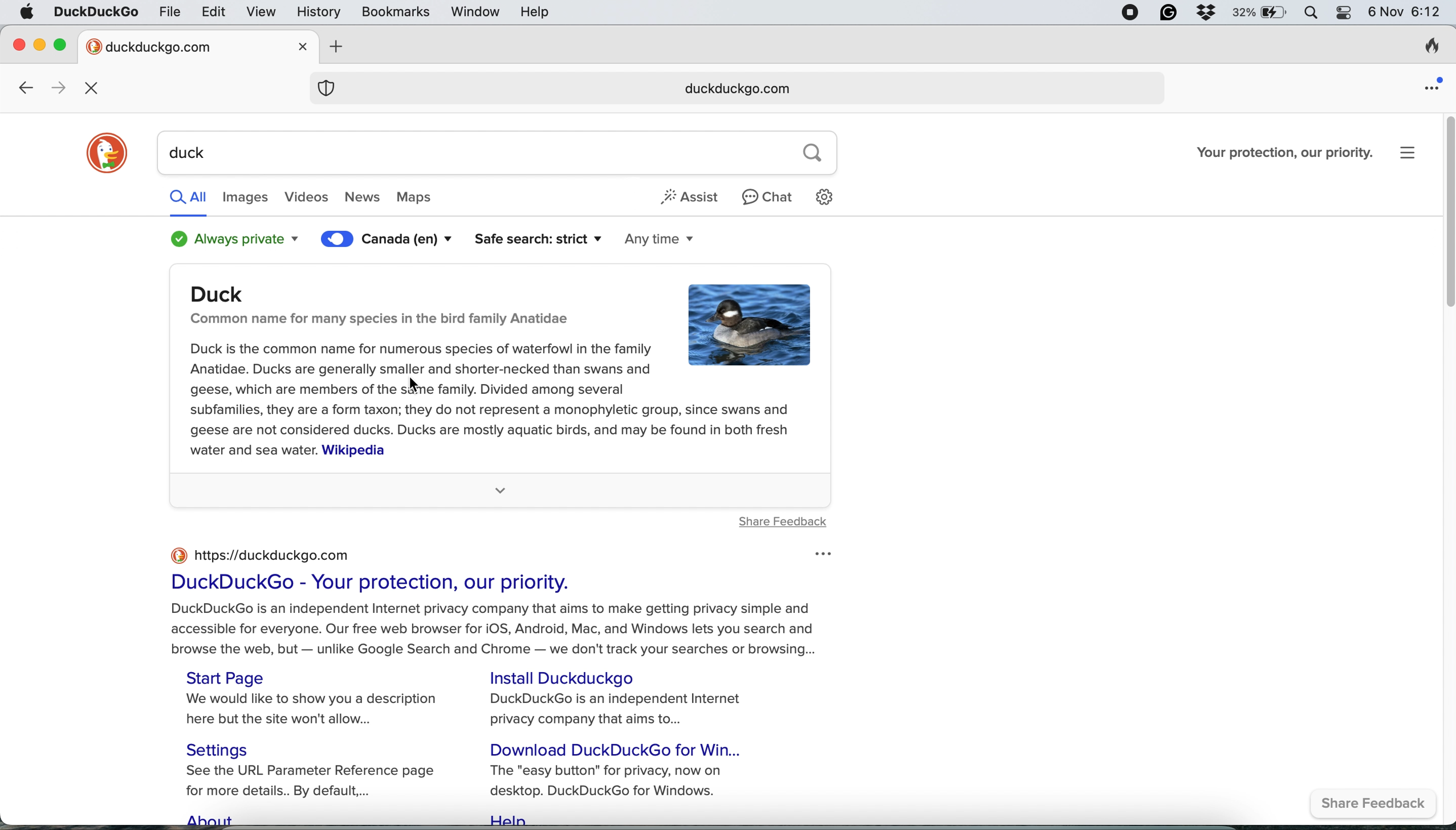 The width and height of the screenshot is (1456, 830). What do you see at coordinates (309, 198) in the screenshot?
I see `videos` at bounding box center [309, 198].